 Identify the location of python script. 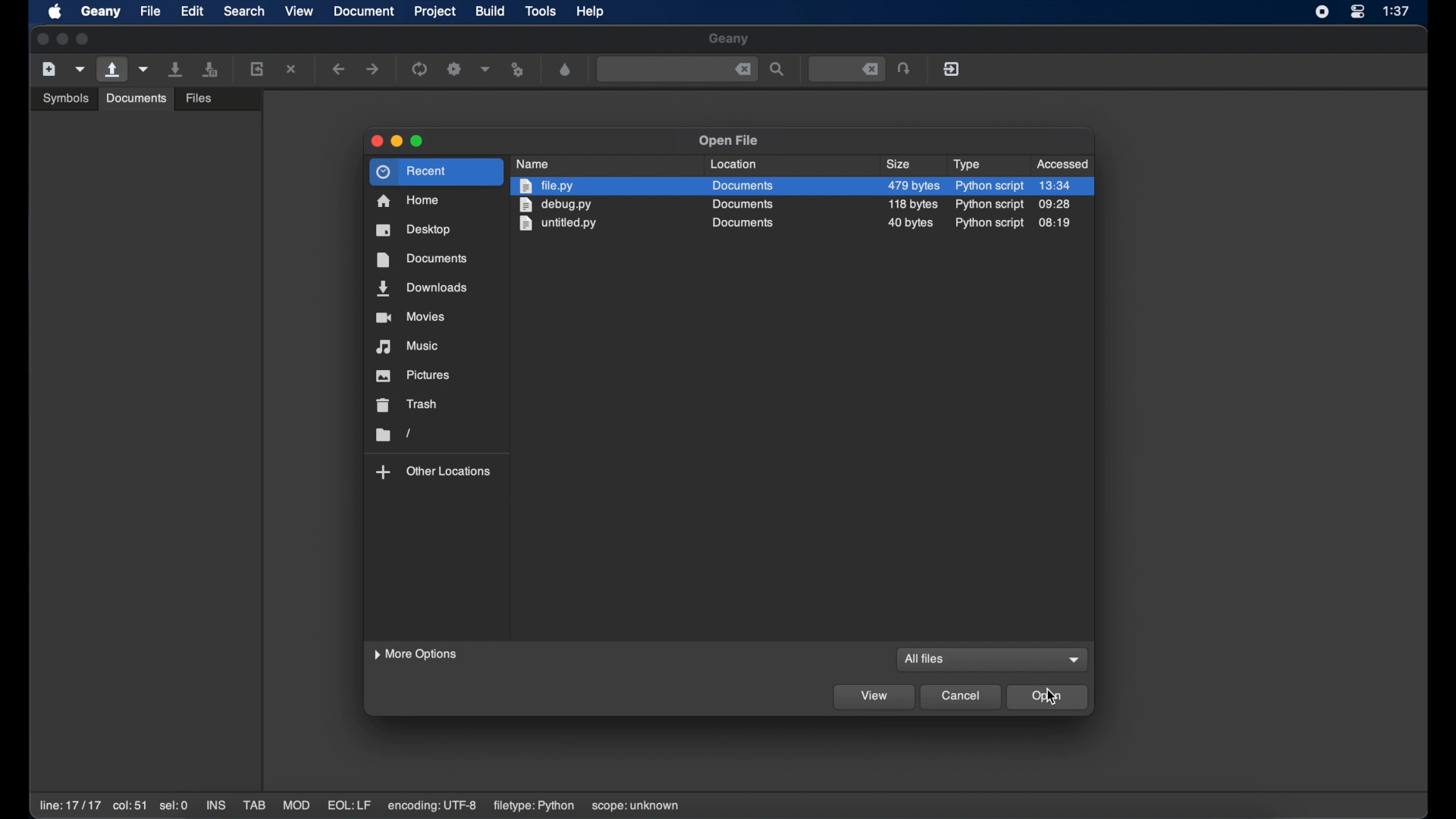
(988, 204).